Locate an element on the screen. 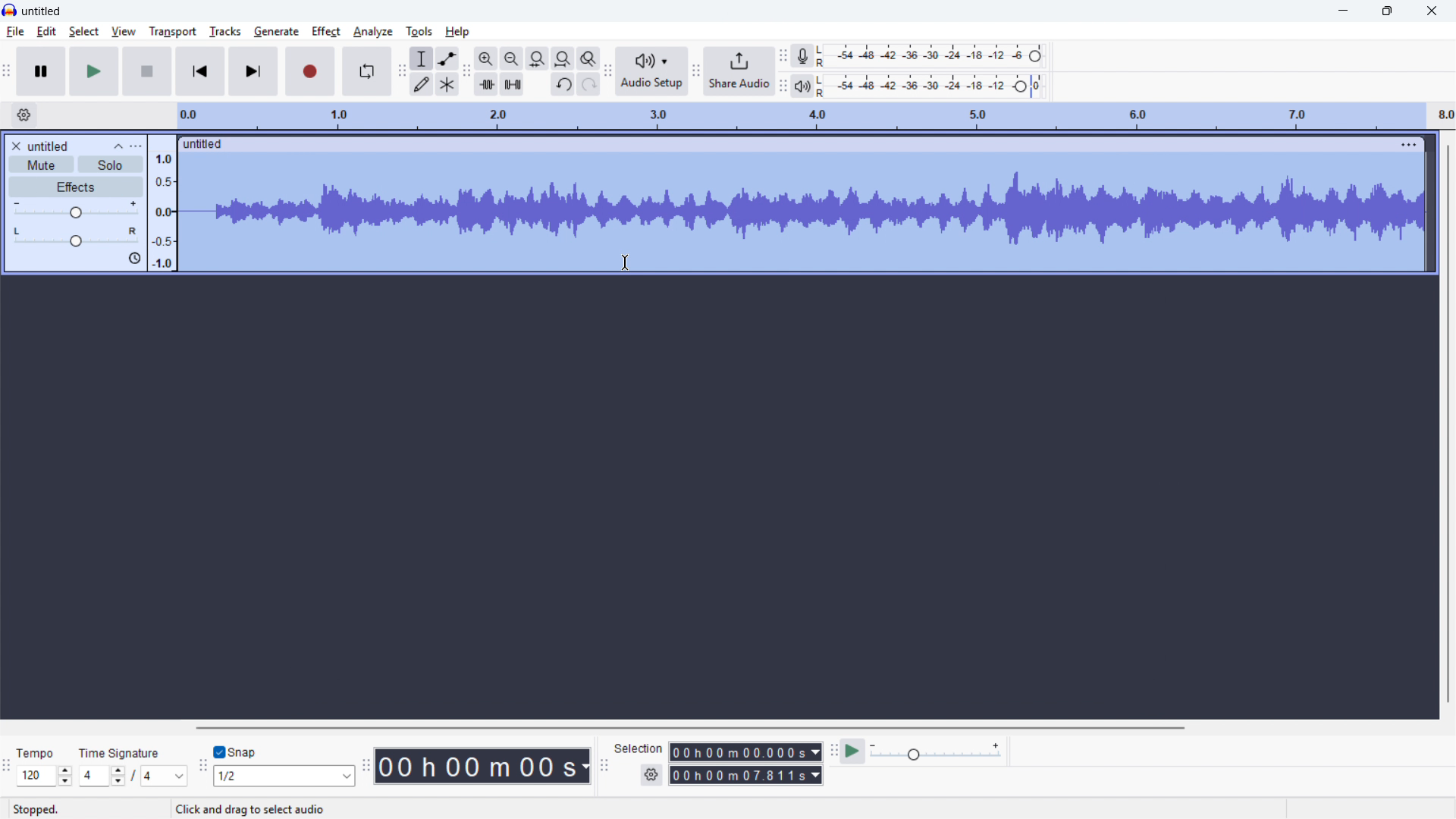 Image resolution: width=1456 pixels, height=819 pixels. tracks is located at coordinates (224, 31).